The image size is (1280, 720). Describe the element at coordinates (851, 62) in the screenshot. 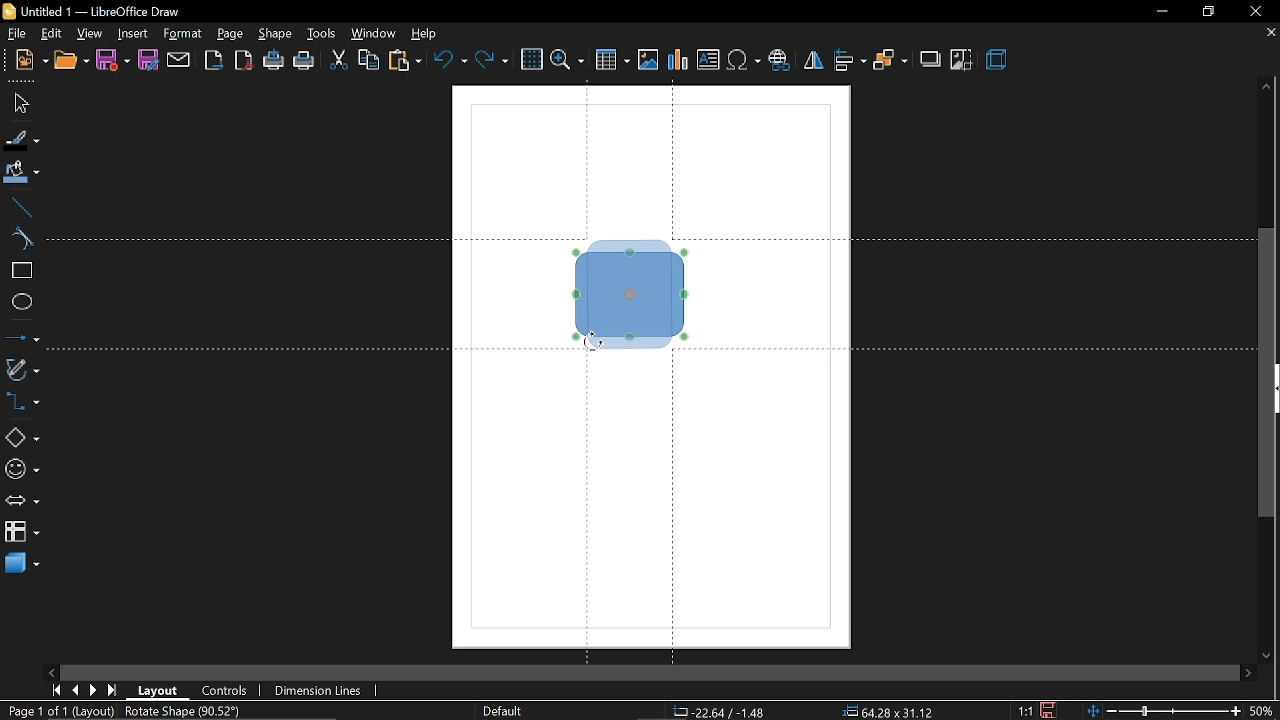

I see `align` at that location.